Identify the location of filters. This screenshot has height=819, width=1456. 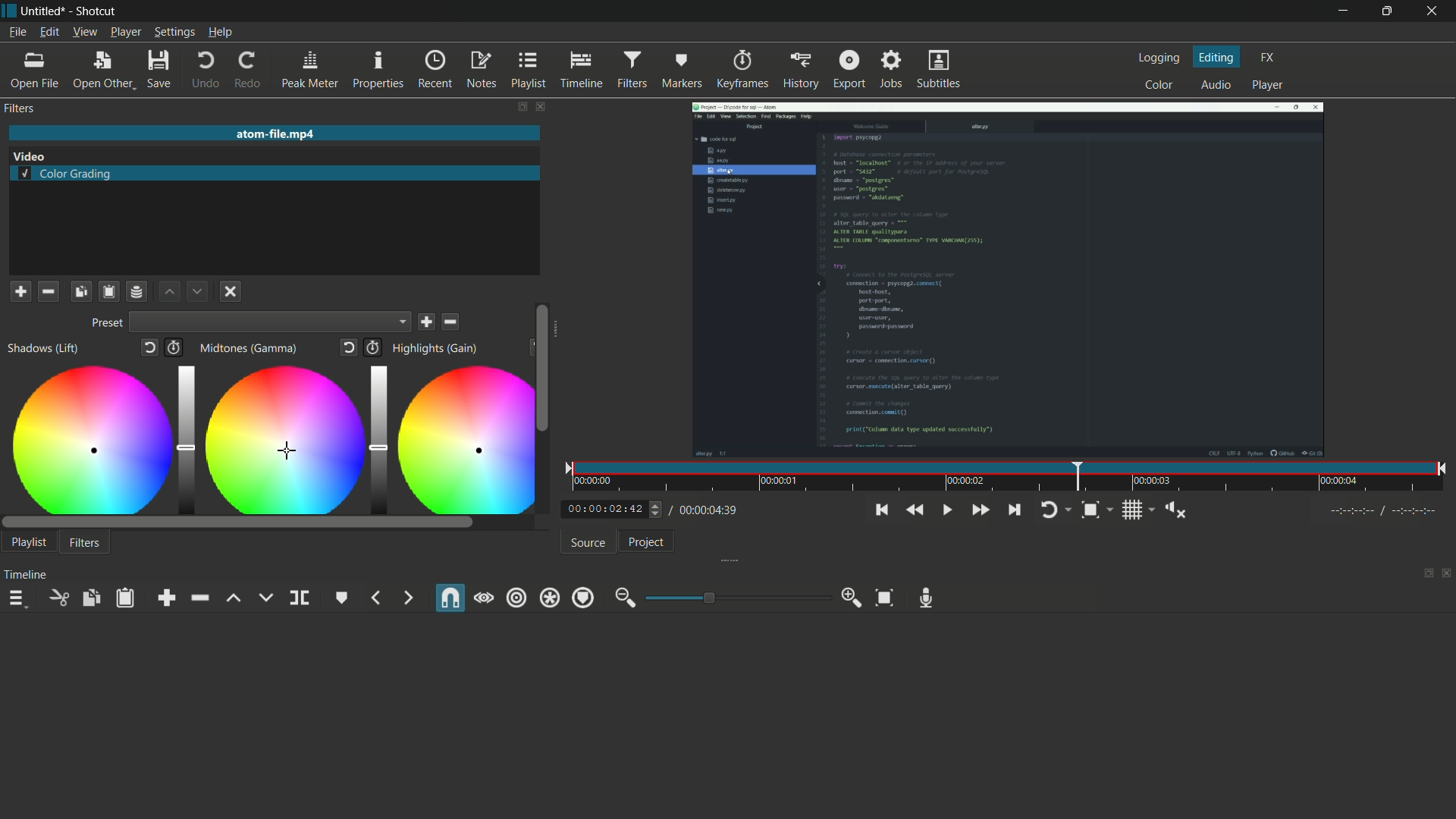
(85, 544).